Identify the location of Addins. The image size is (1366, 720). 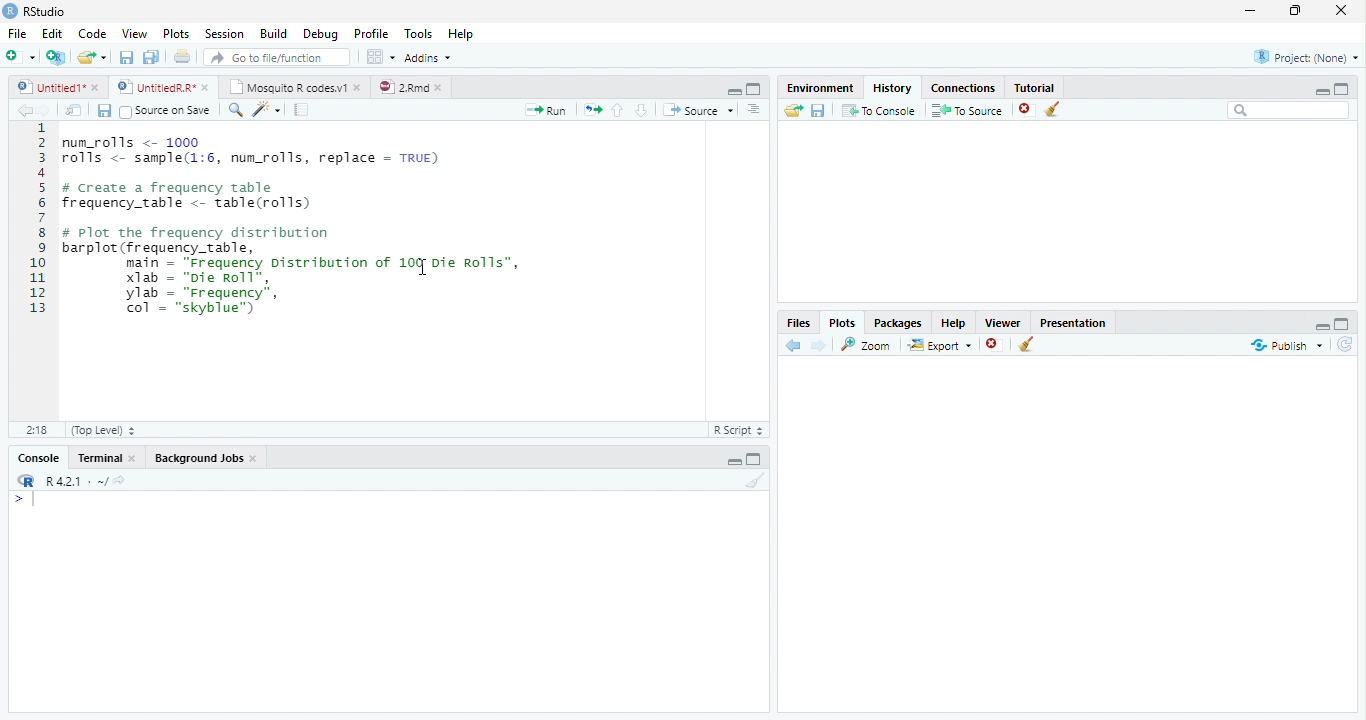
(431, 56).